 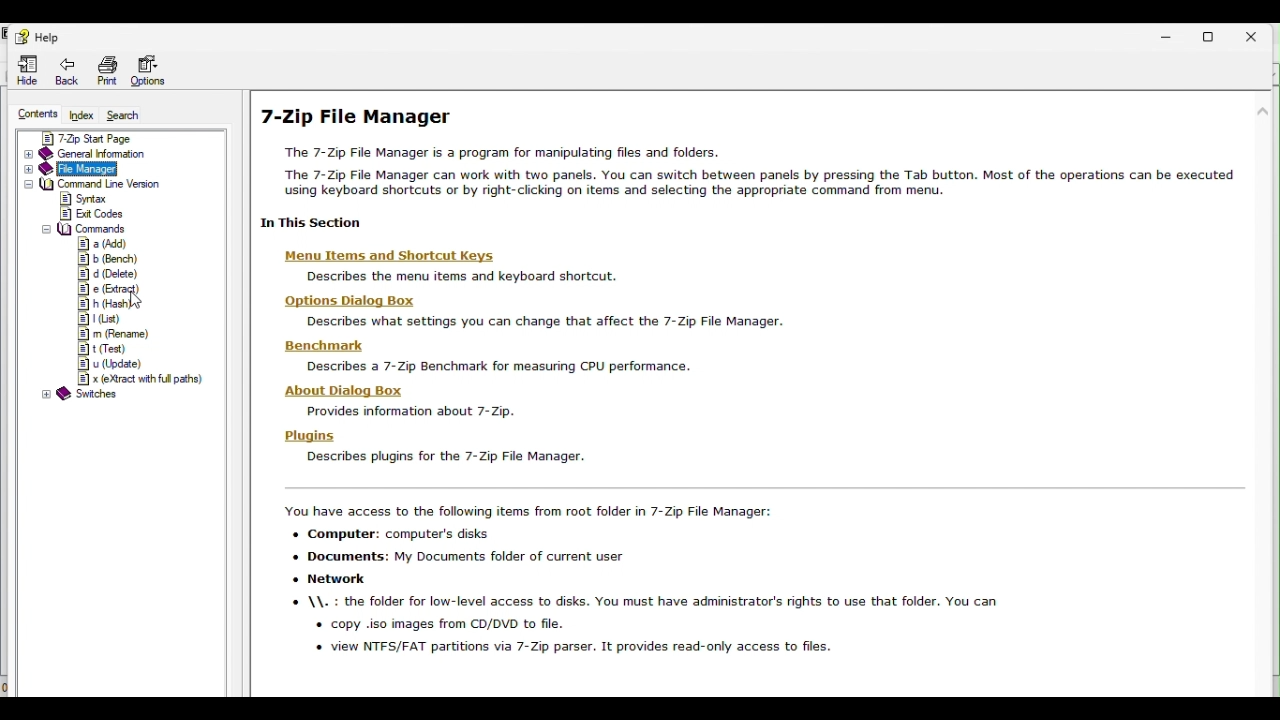 What do you see at coordinates (27, 67) in the screenshot?
I see `Hide` at bounding box center [27, 67].